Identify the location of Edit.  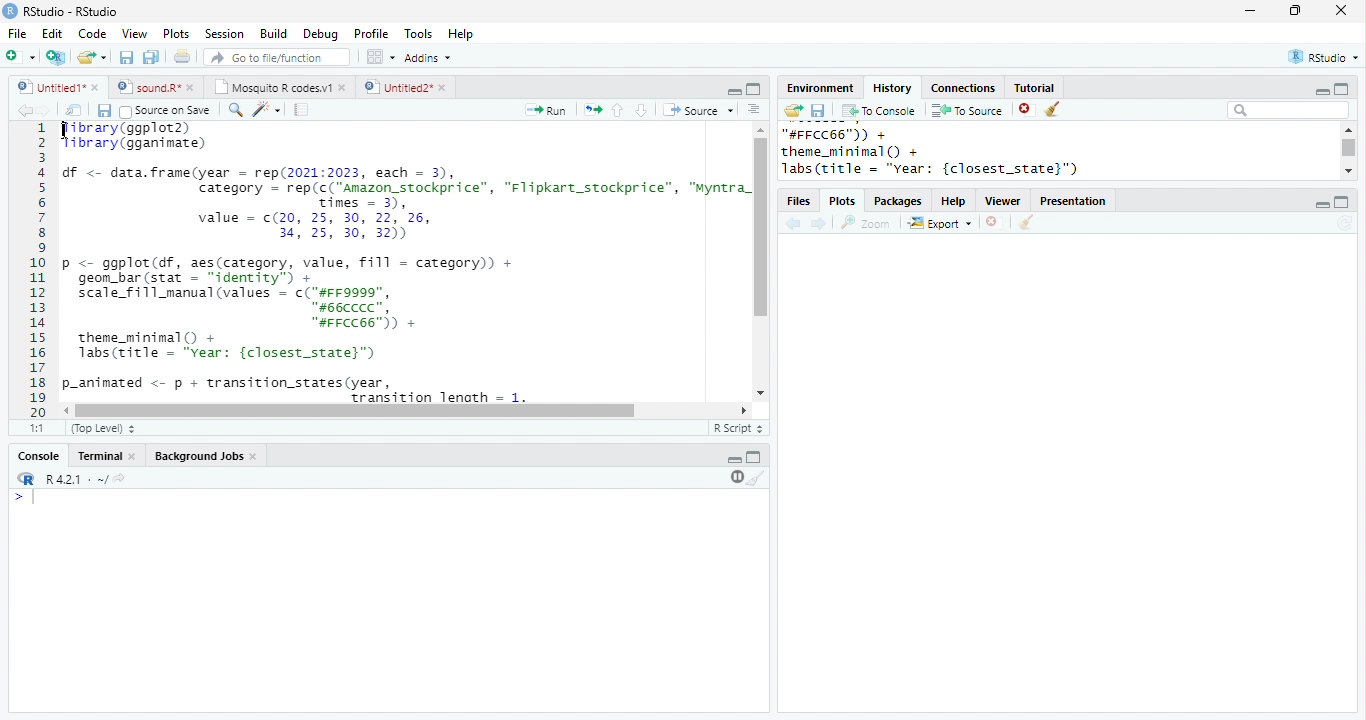
(52, 33).